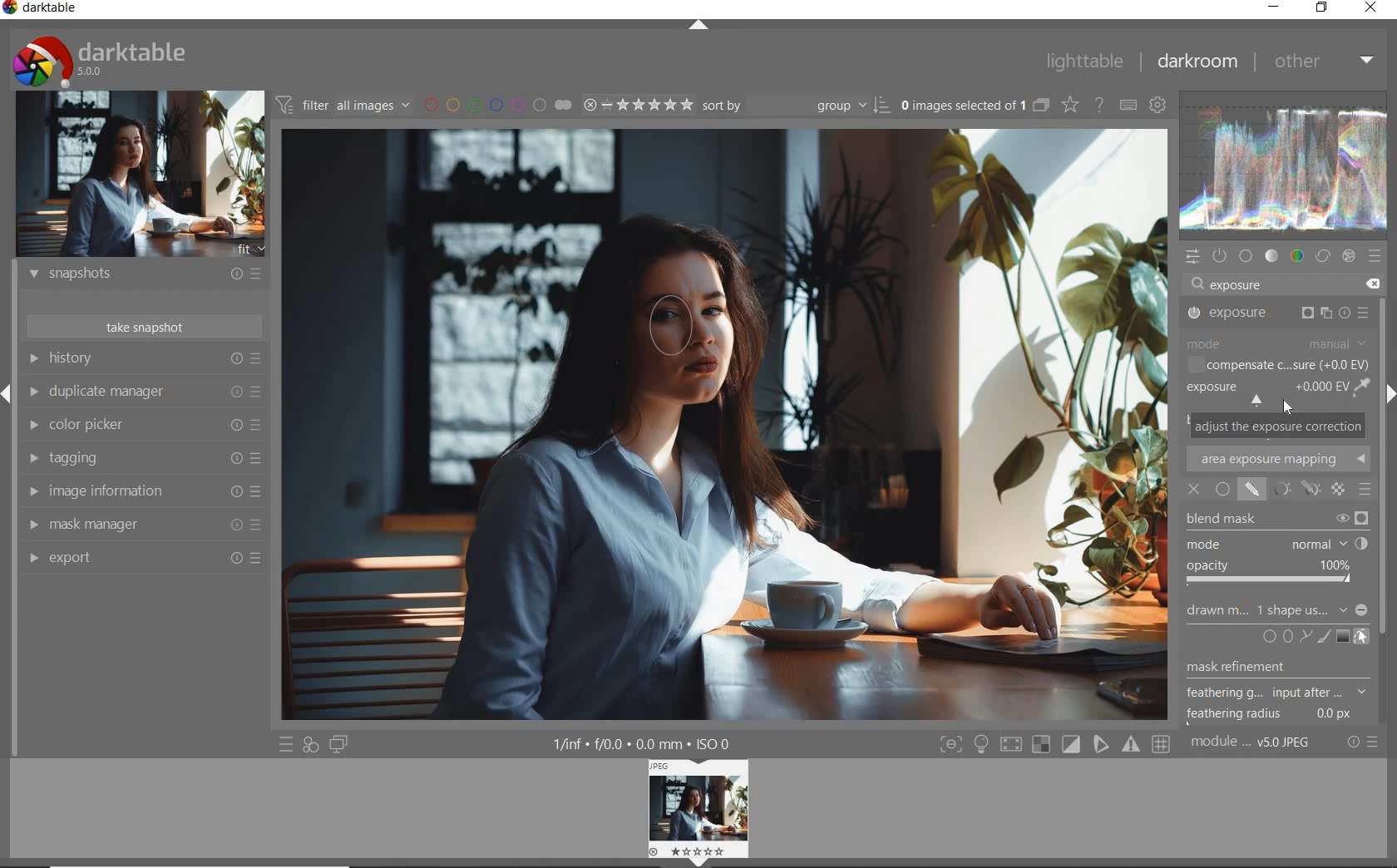 The width and height of the screenshot is (1397, 868). I want to click on feathering radius, so click(1269, 716).